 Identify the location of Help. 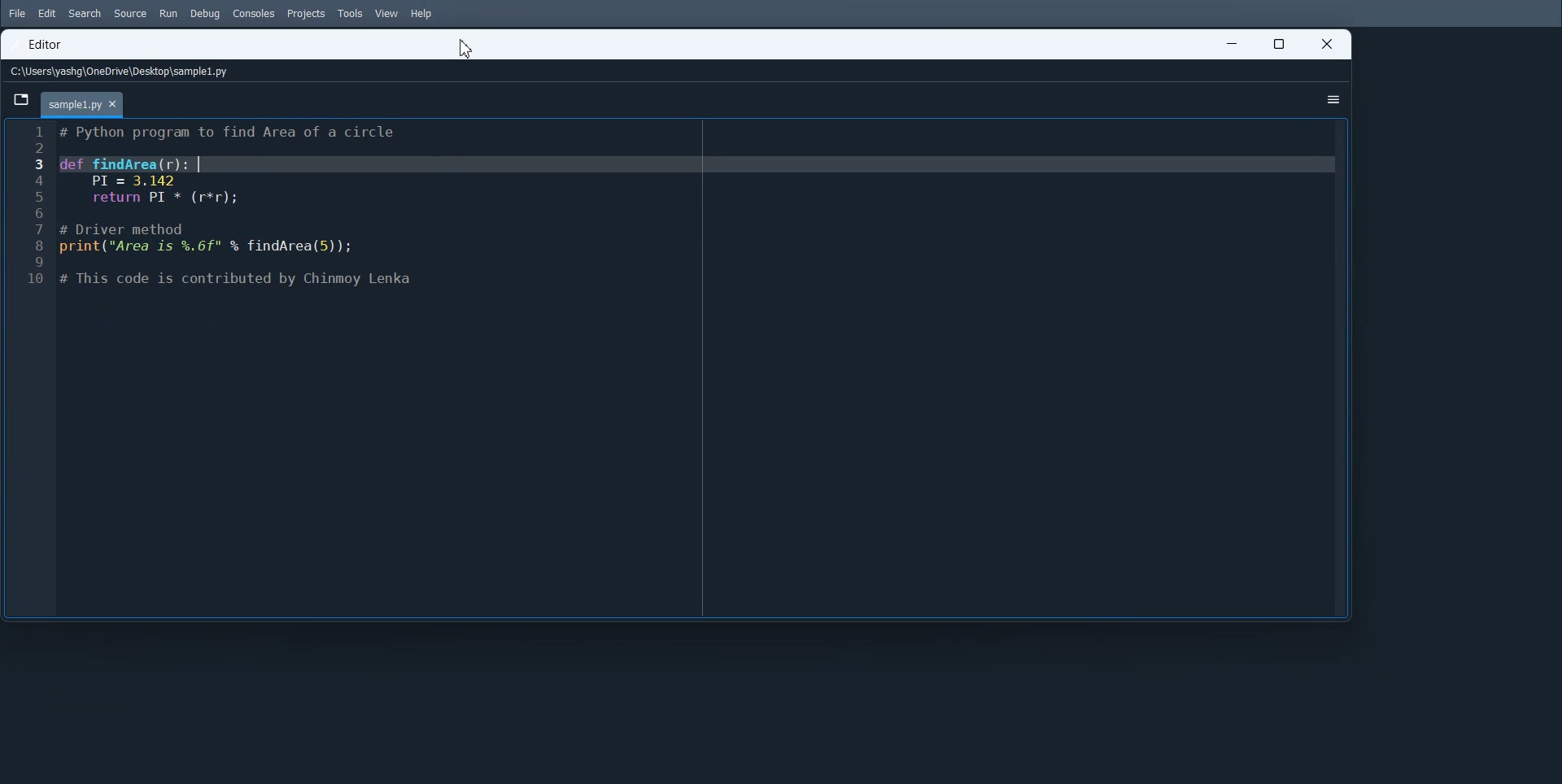
(422, 15).